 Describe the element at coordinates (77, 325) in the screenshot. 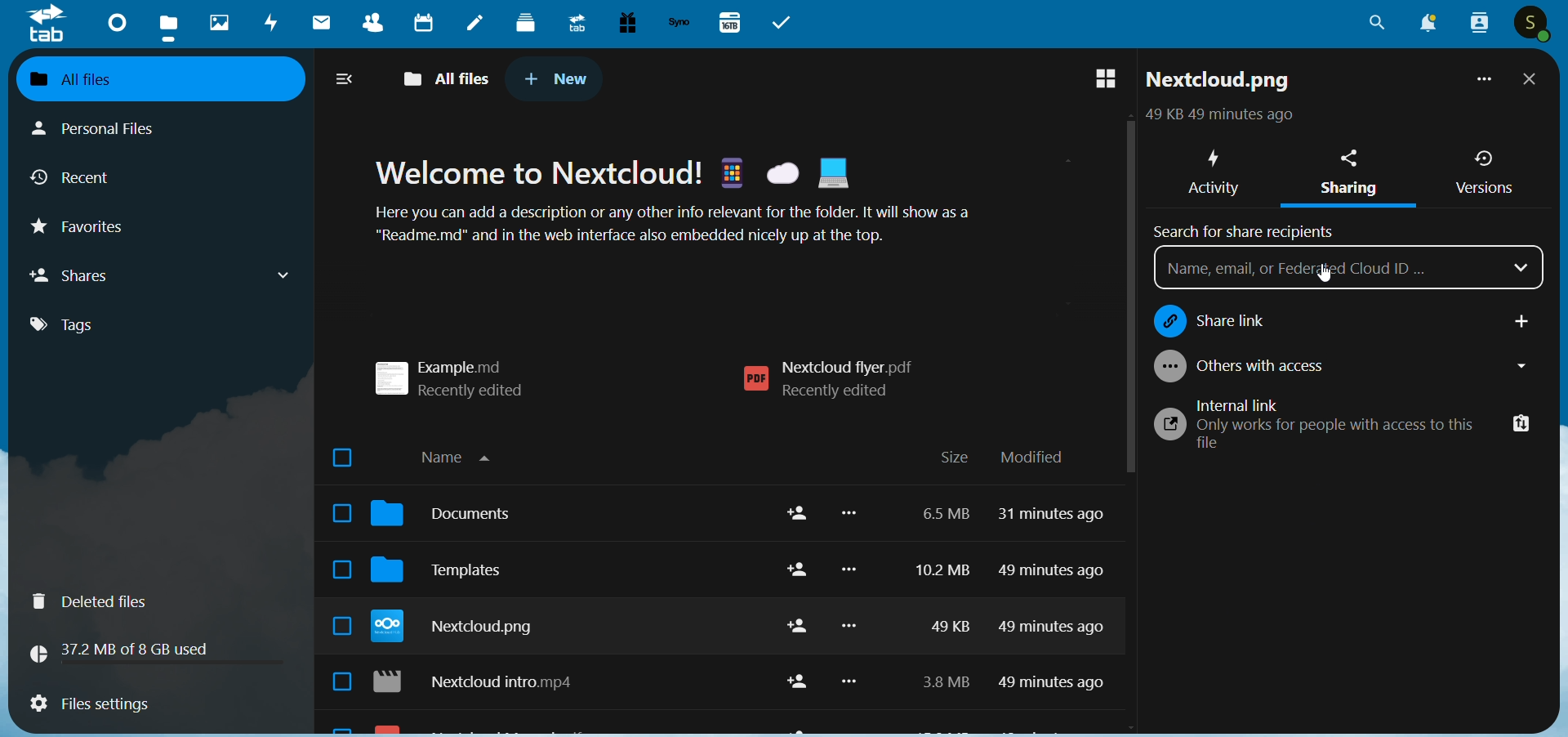

I see `tags` at that location.